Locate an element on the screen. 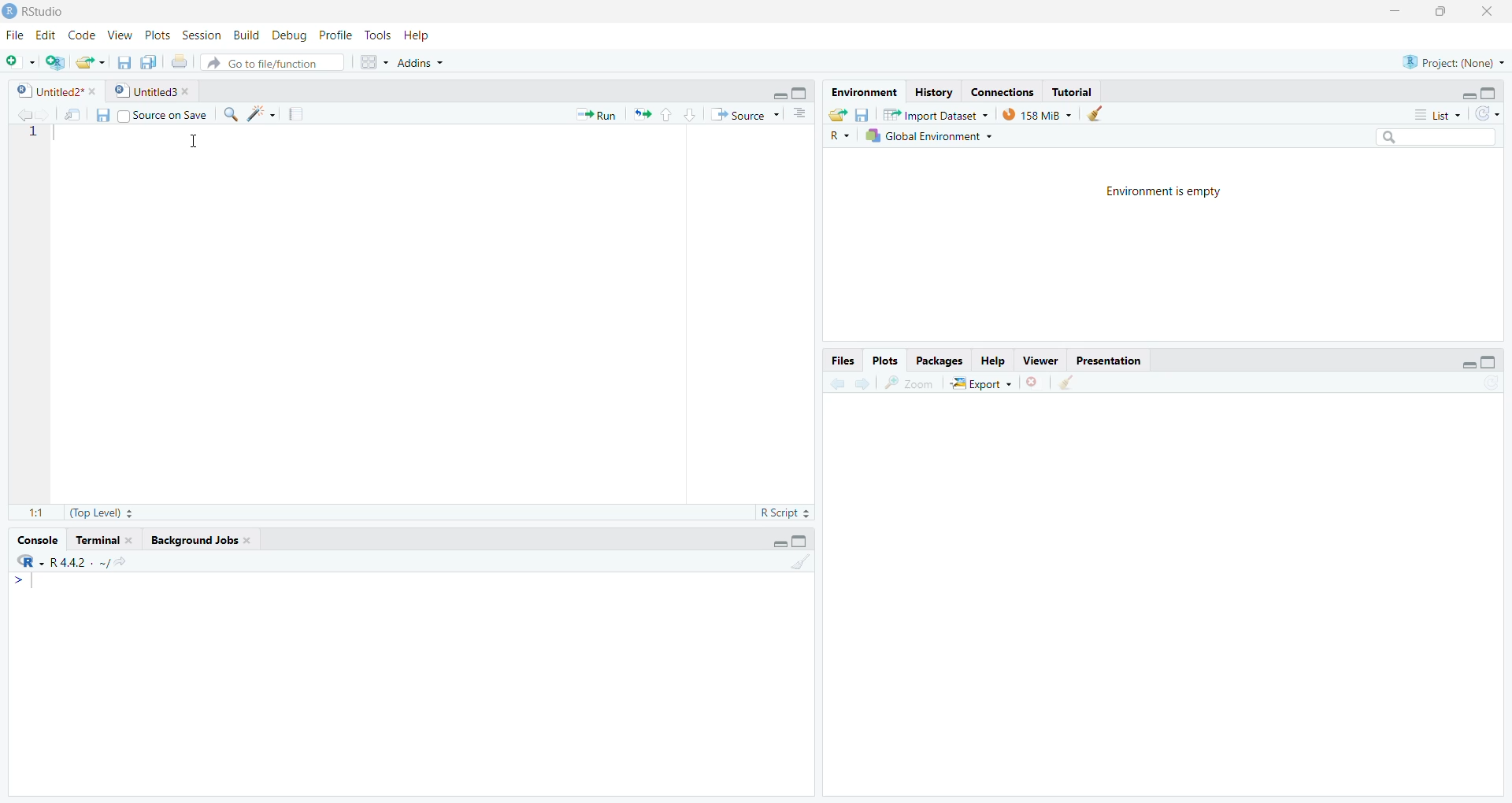 Image resolution: width=1512 pixels, height=803 pixels. + Source is located at coordinates (744, 115).